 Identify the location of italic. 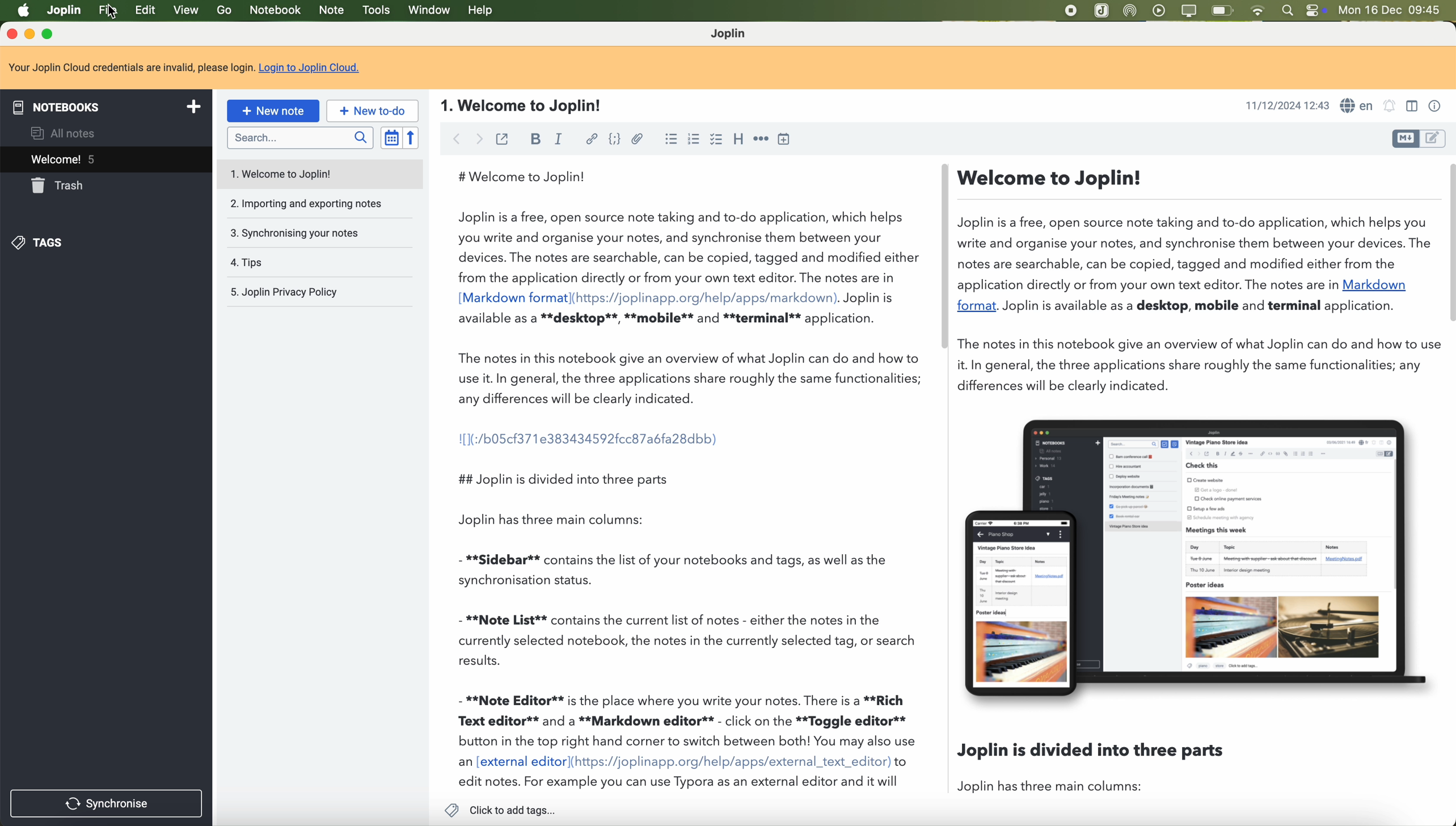
(560, 138).